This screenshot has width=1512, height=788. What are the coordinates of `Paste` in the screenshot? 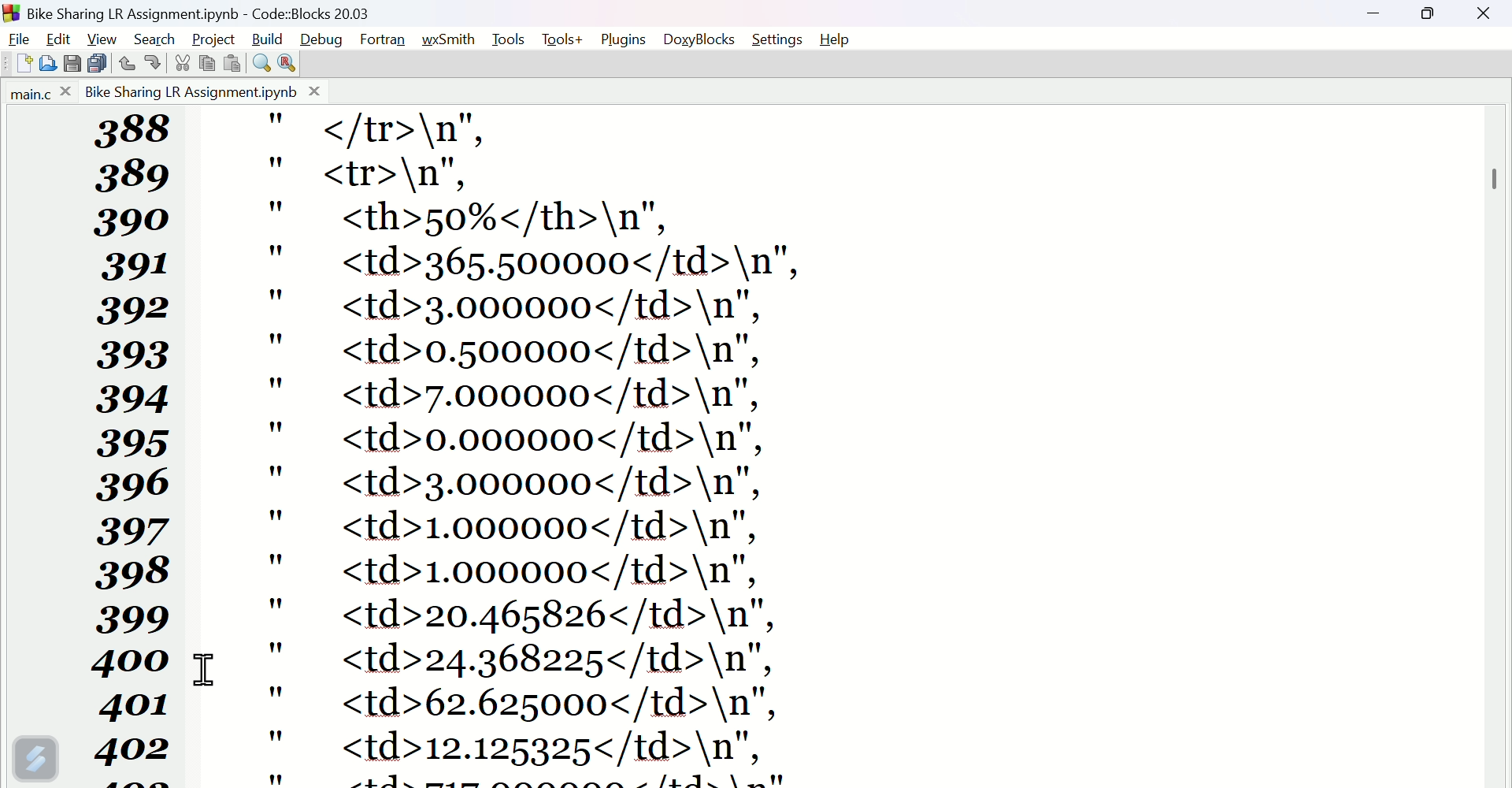 It's located at (232, 62).